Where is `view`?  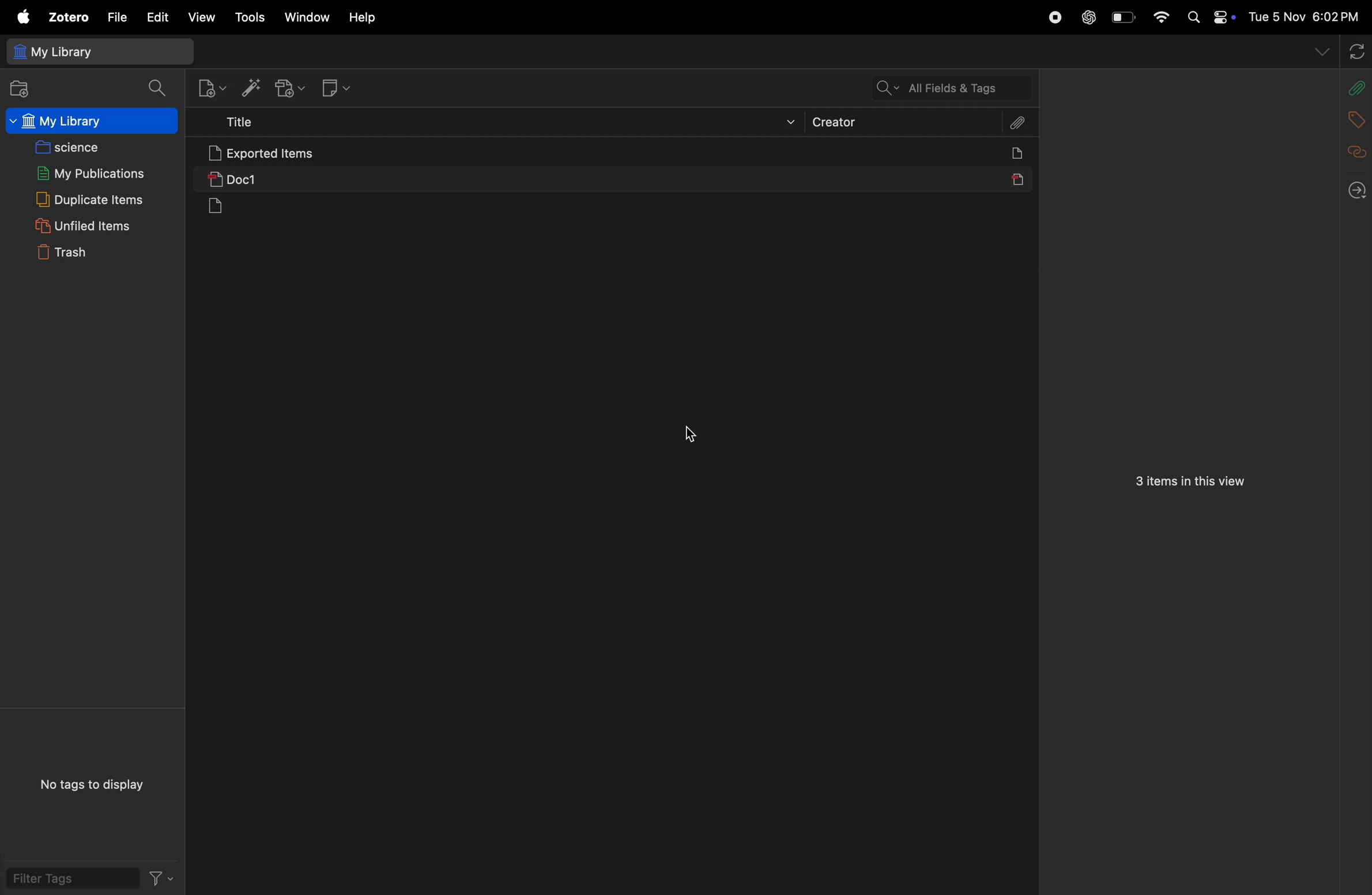 view is located at coordinates (198, 16).